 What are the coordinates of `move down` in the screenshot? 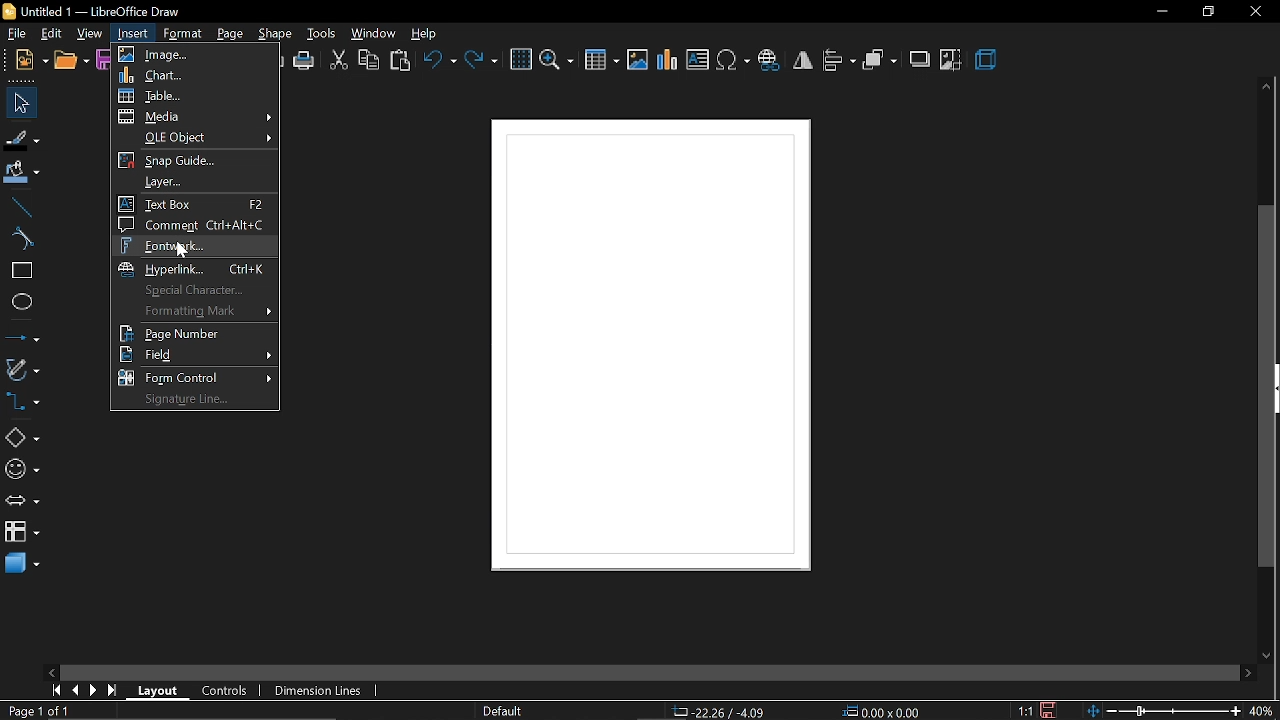 It's located at (1266, 656).